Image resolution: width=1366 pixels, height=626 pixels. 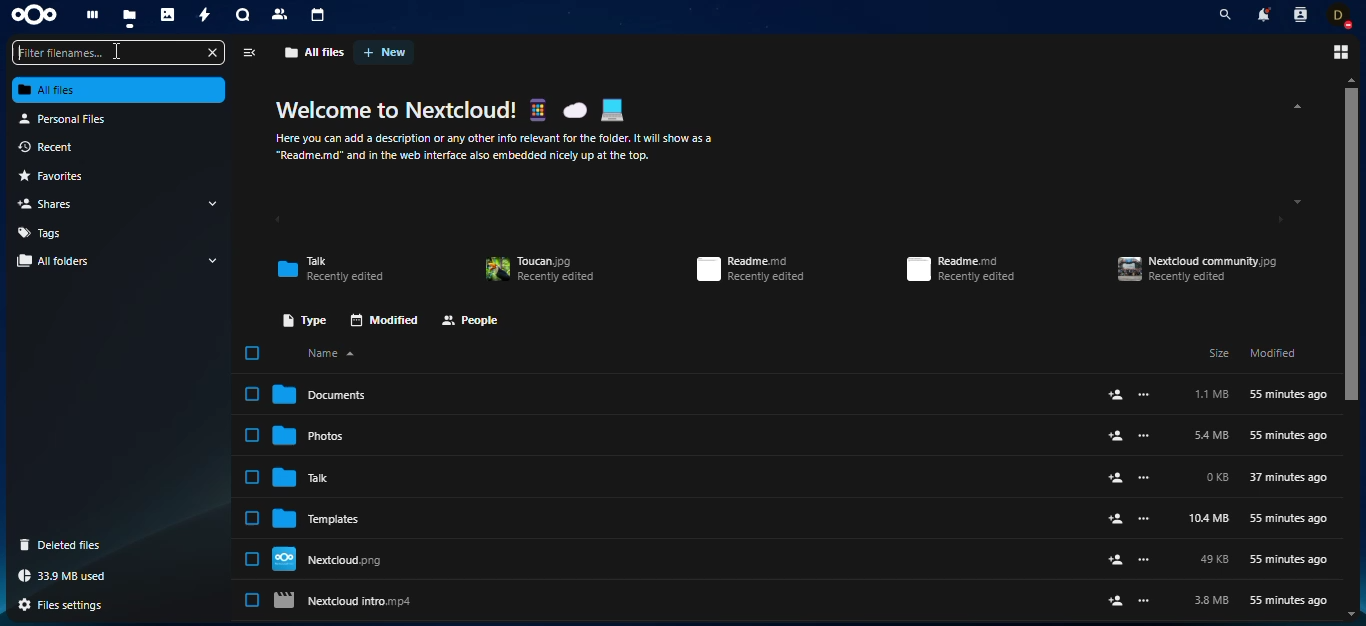 I want to click on add, so click(x=1115, y=477).